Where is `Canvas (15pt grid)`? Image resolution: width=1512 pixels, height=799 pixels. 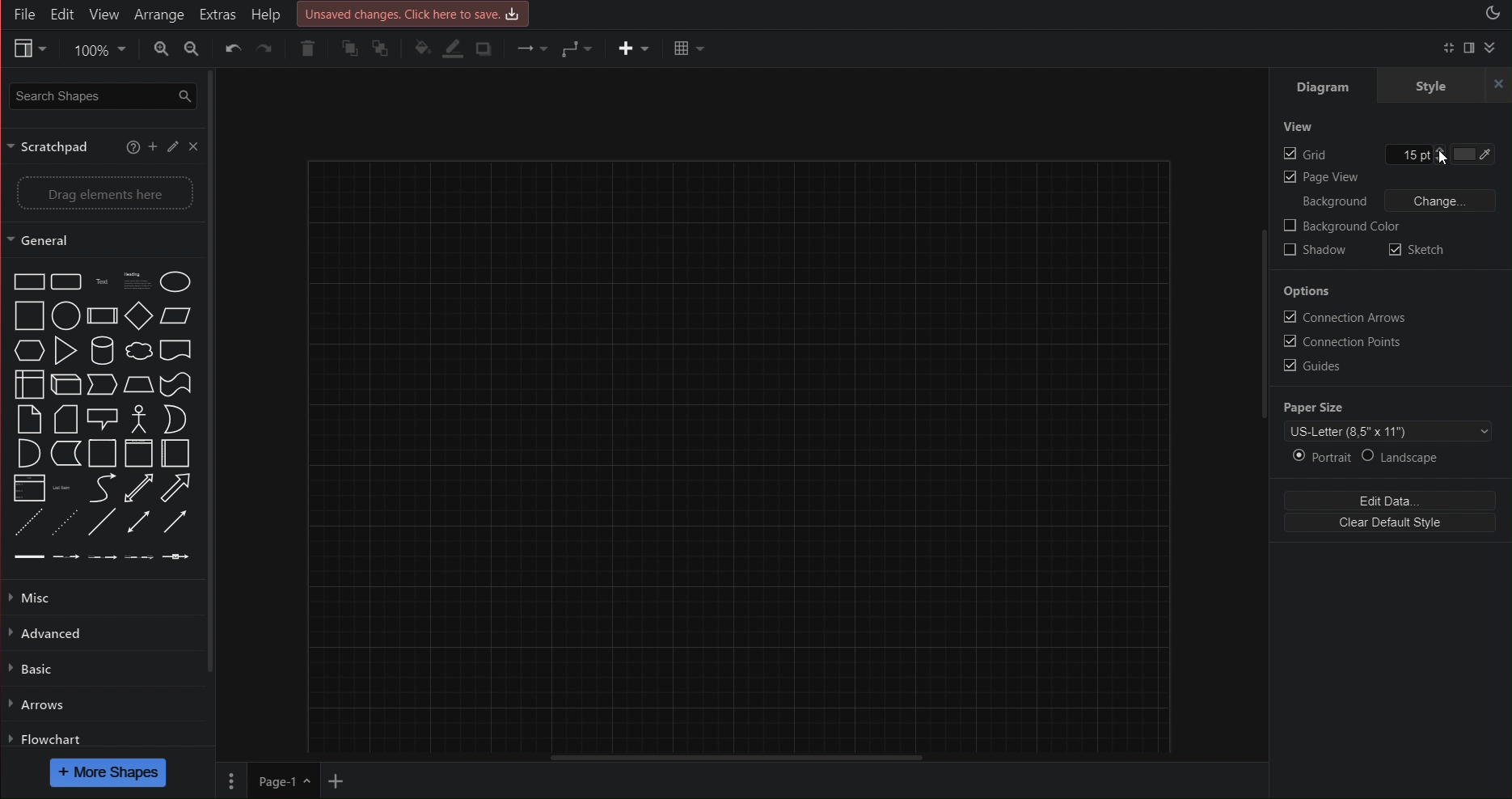
Canvas (15pt grid) is located at coordinates (775, 449).